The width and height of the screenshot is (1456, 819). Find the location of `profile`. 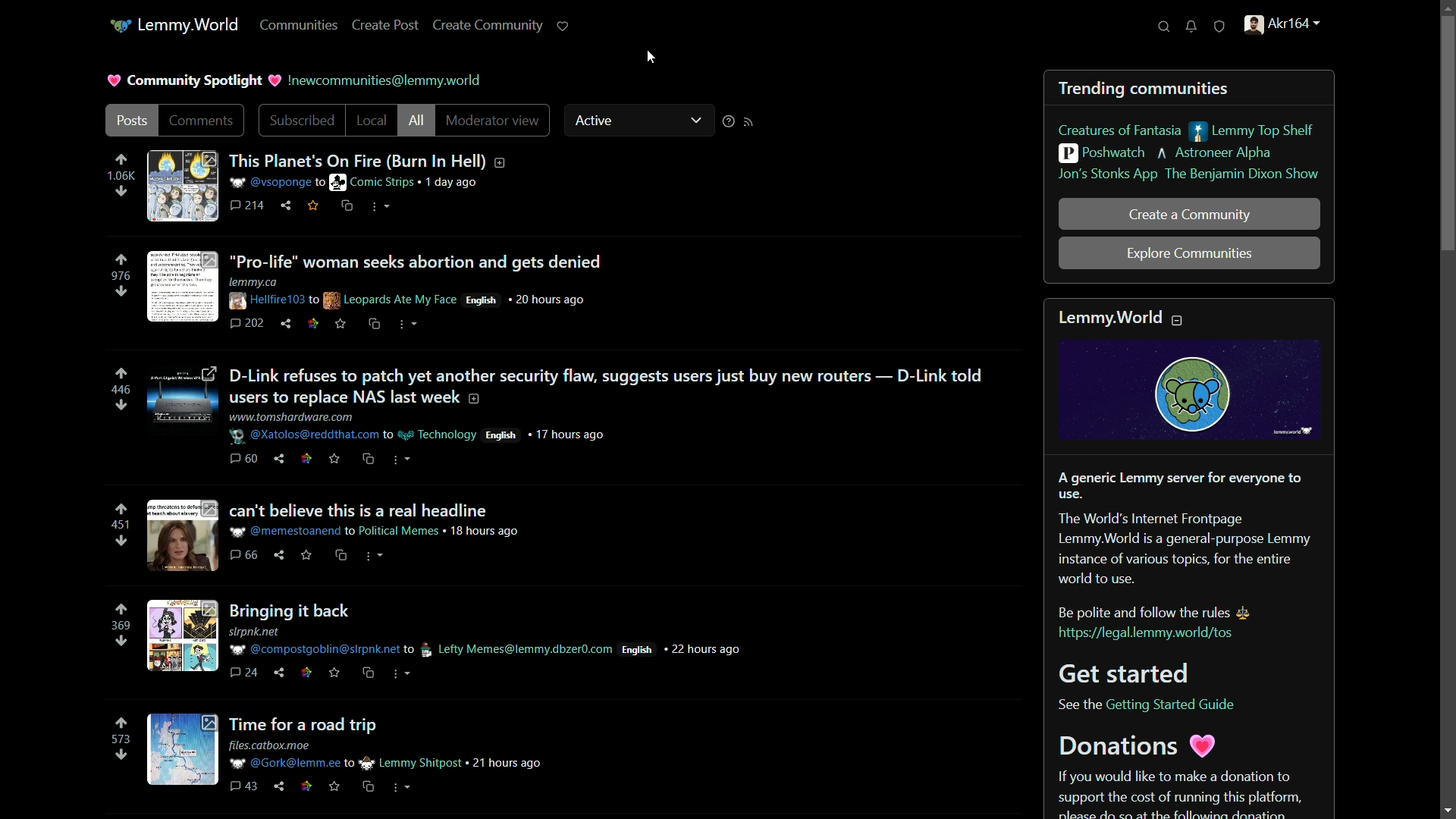

profile is located at coordinates (1282, 24).